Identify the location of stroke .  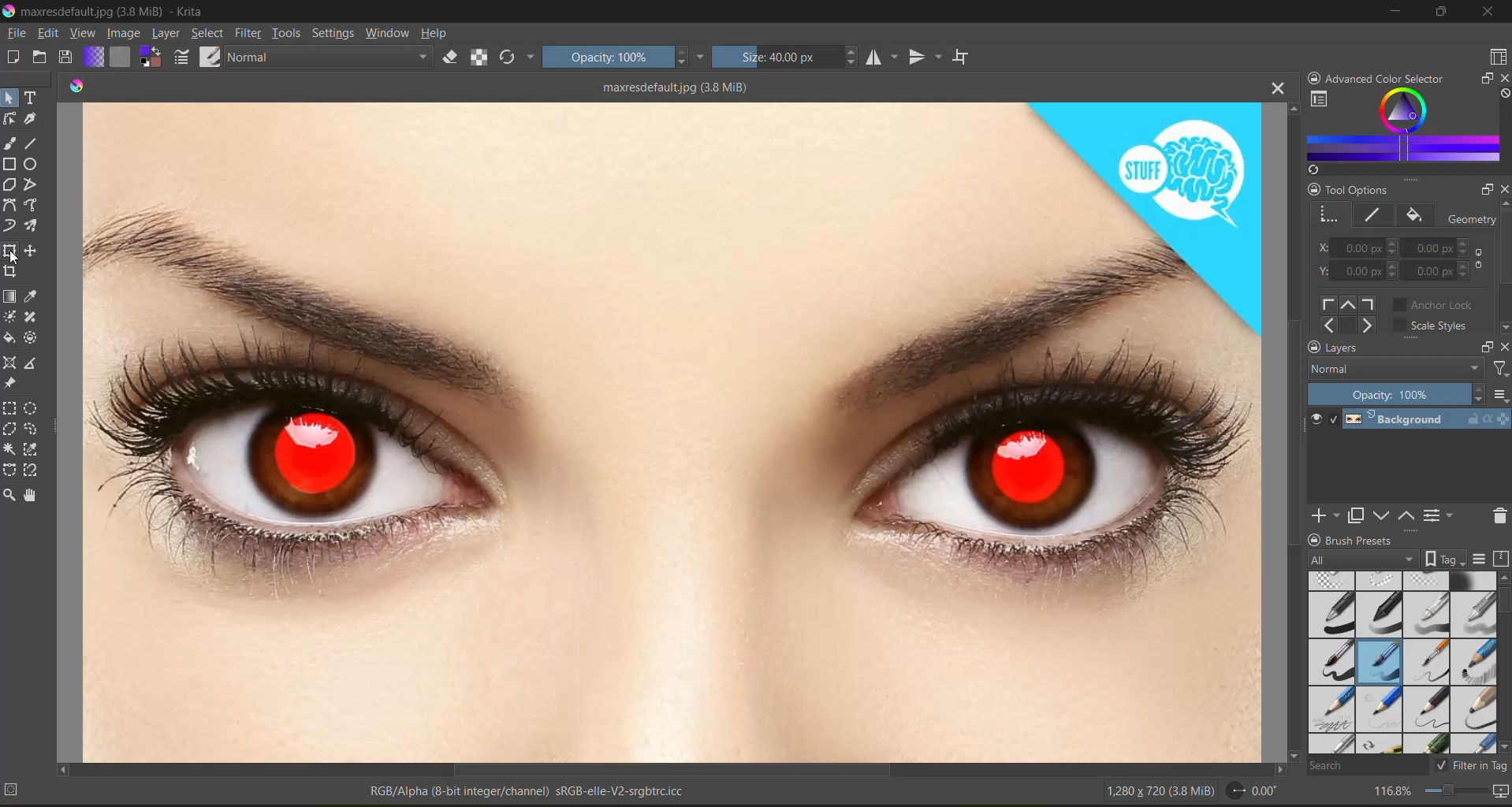
(1375, 214).